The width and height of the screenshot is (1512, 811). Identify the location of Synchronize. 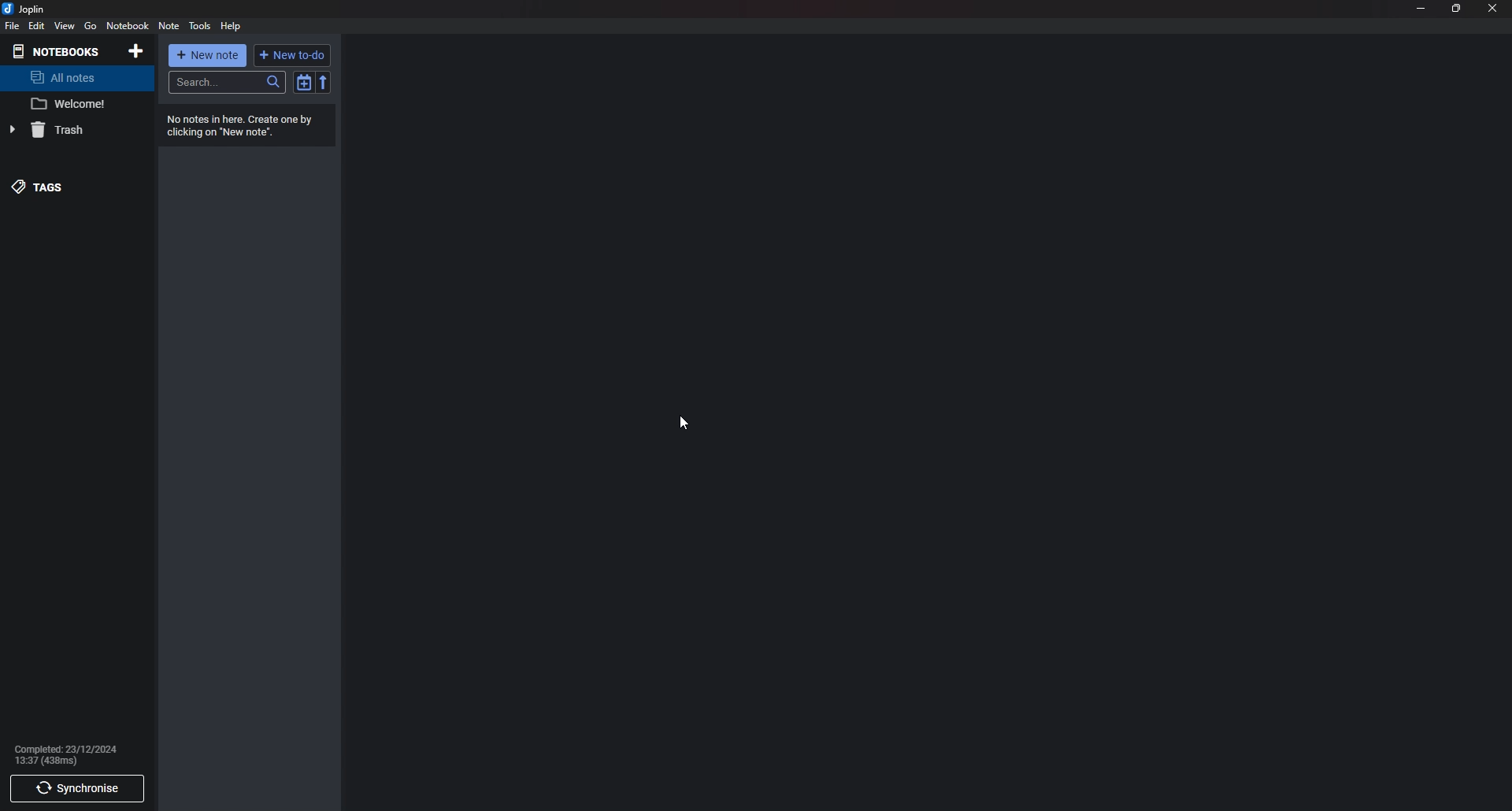
(80, 789).